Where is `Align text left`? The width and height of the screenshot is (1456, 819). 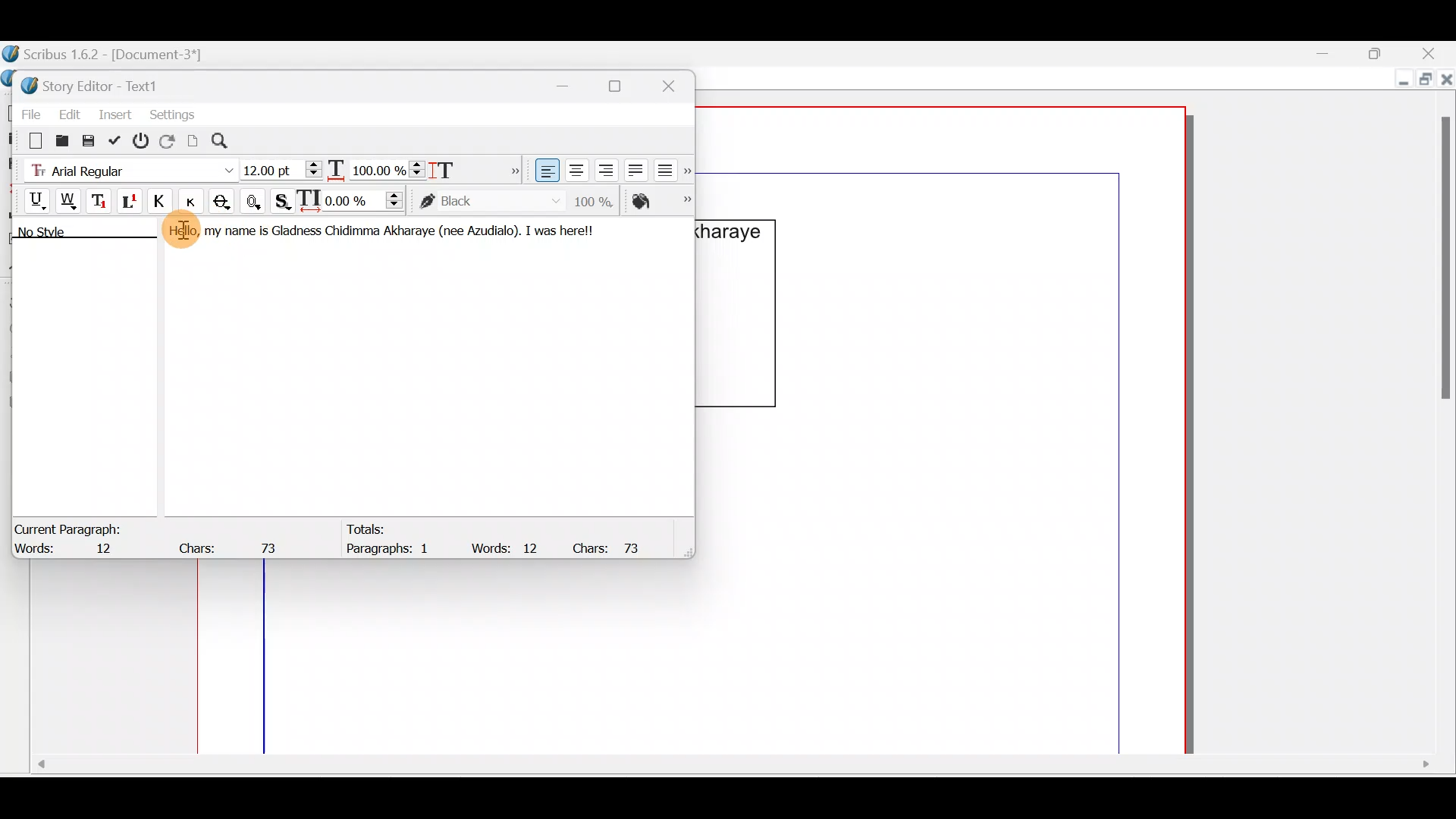 Align text left is located at coordinates (545, 171).